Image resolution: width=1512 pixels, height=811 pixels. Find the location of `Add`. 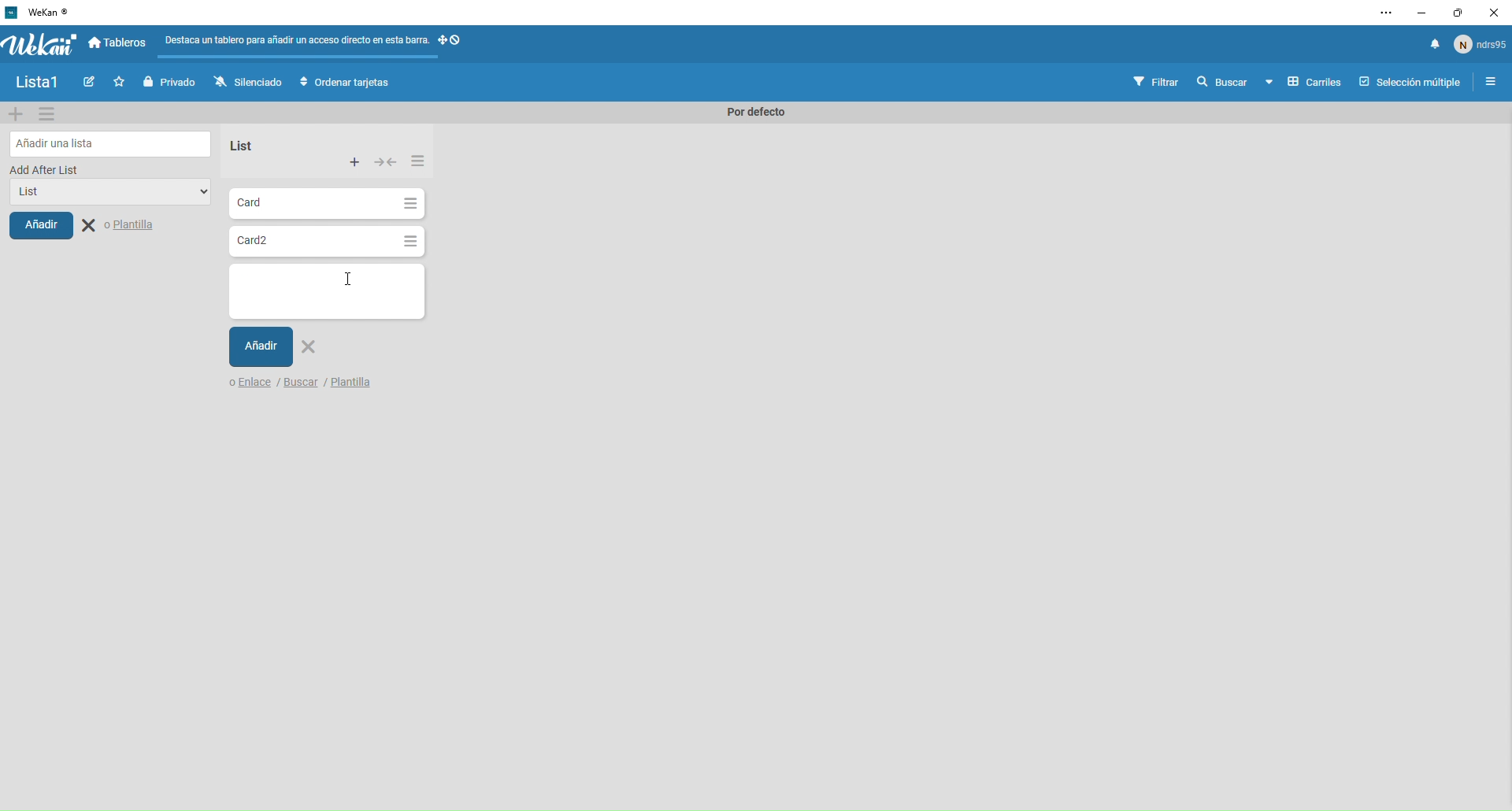

Add is located at coordinates (262, 347).